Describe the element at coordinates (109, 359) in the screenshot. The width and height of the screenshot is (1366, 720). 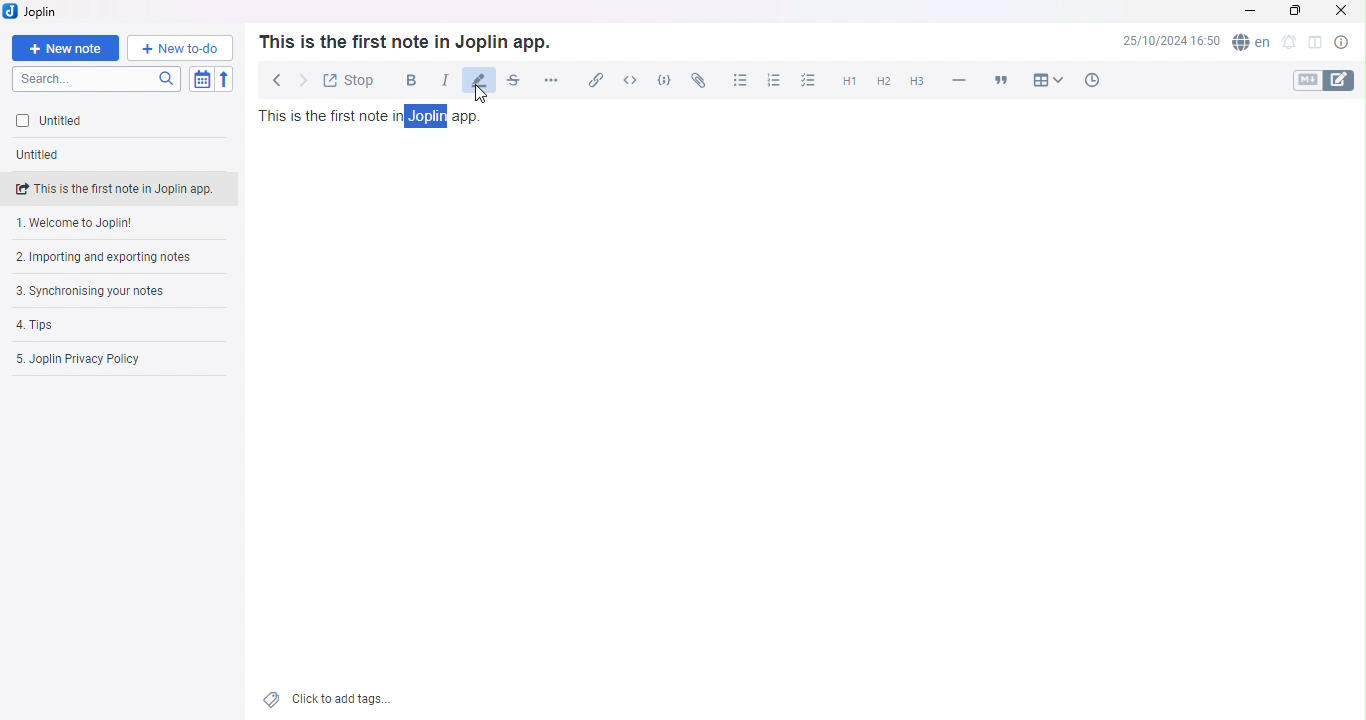
I see `Joplin privacy policy` at that location.